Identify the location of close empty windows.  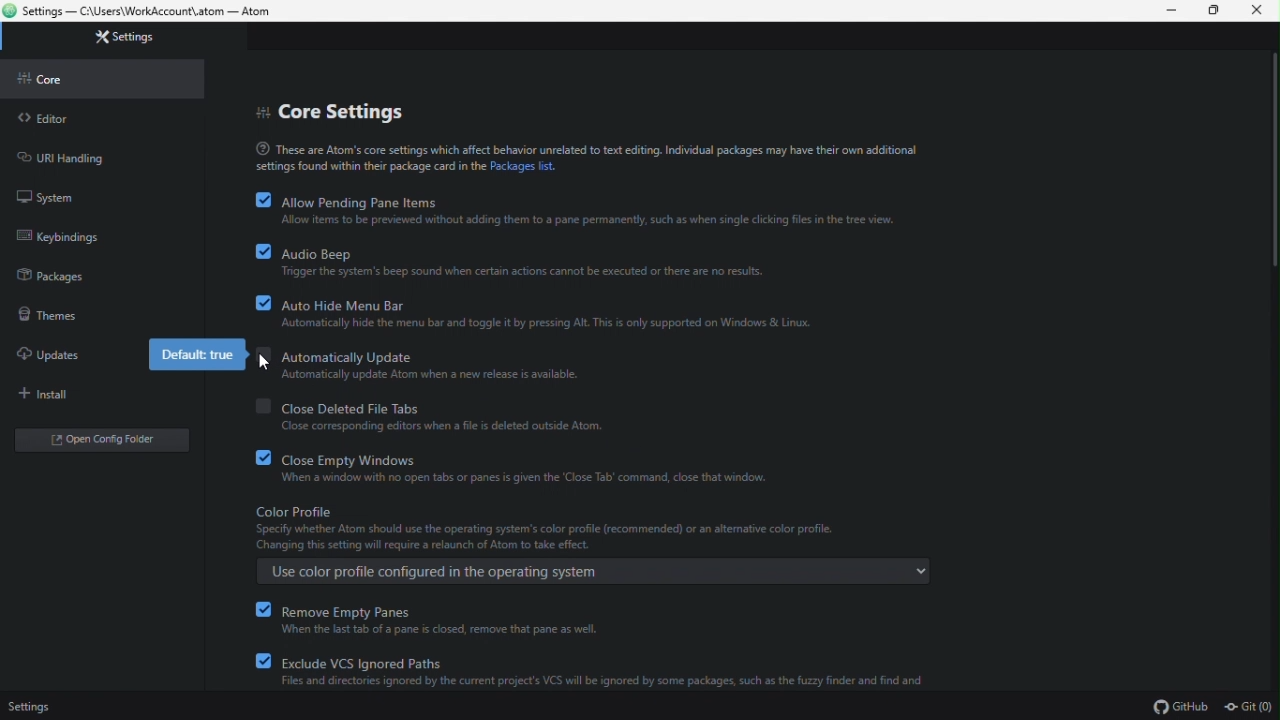
(520, 464).